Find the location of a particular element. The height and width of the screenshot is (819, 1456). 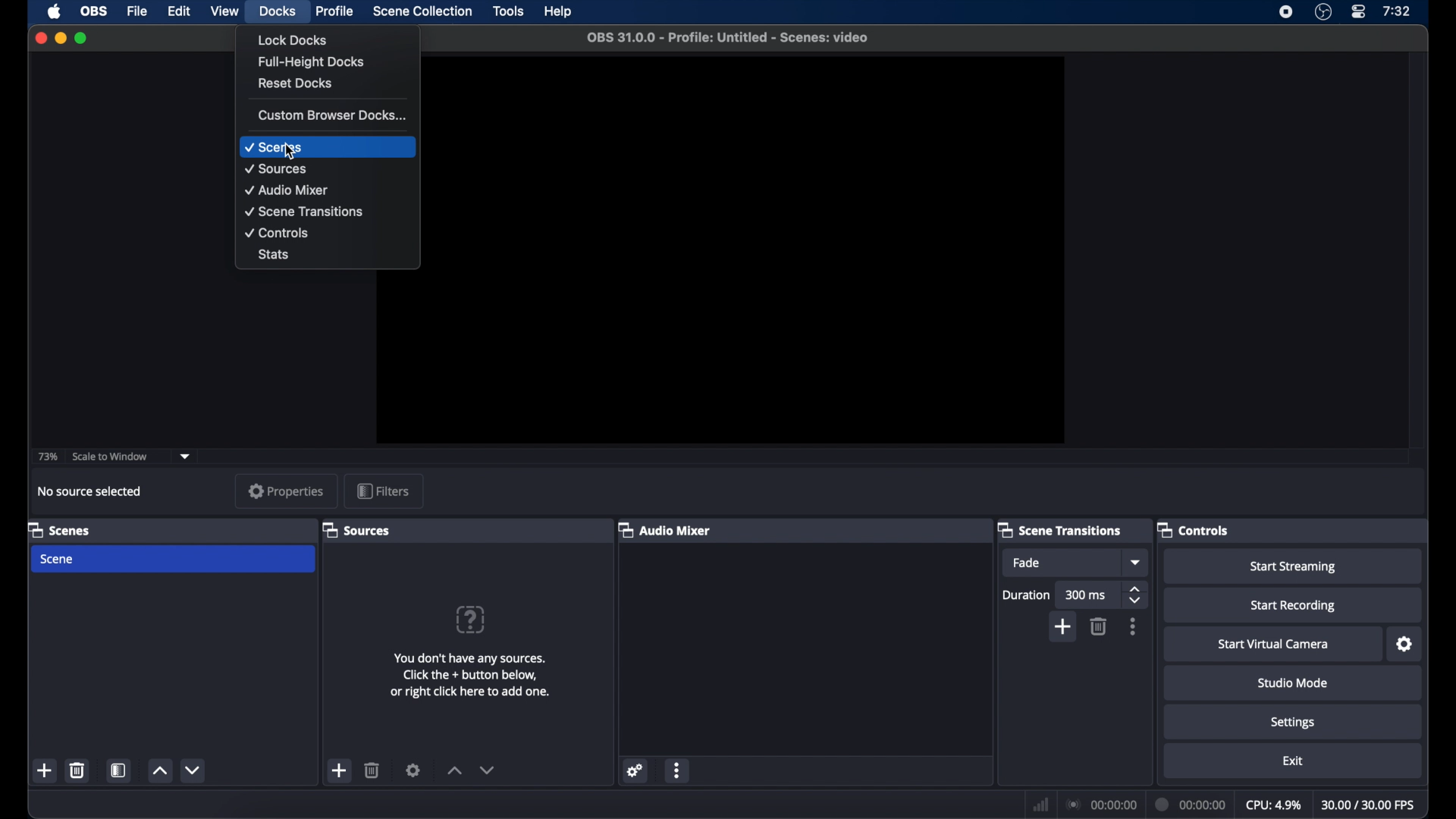

docks is located at coordinates (278, 11).